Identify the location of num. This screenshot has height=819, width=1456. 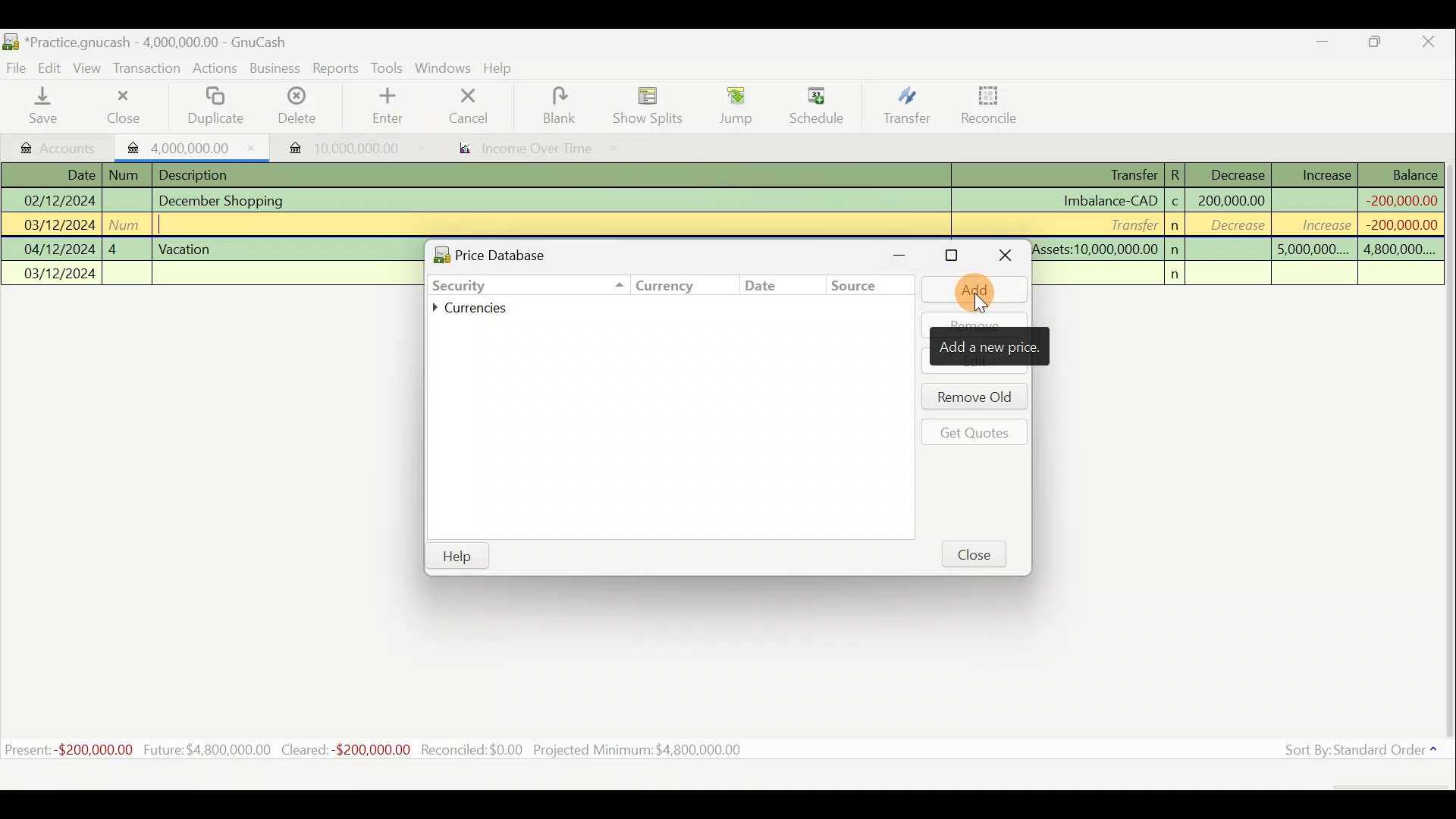
(128, 224).